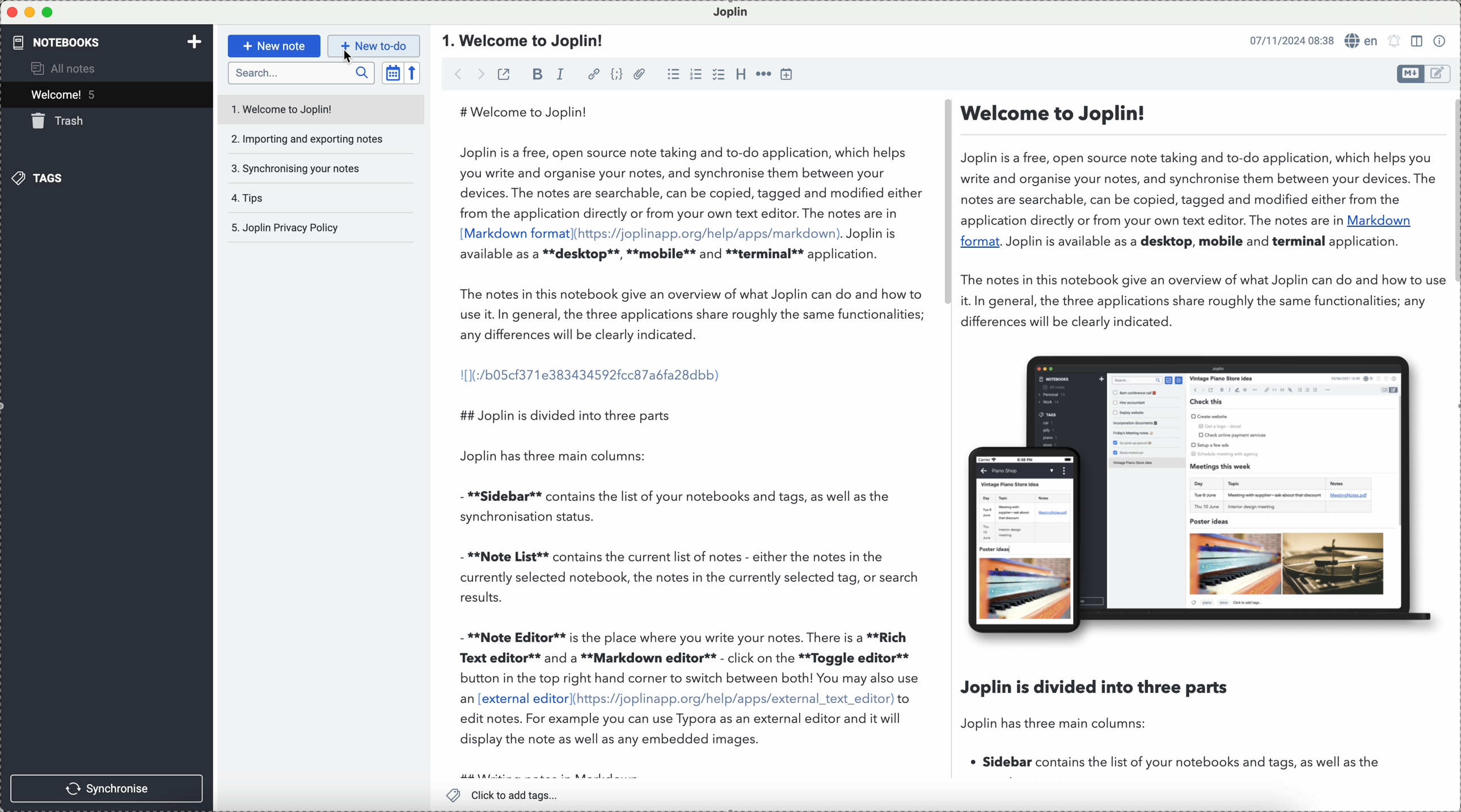  Describe the element at coordinates (741, 73) in the screenshot. I see `heading` at that location.